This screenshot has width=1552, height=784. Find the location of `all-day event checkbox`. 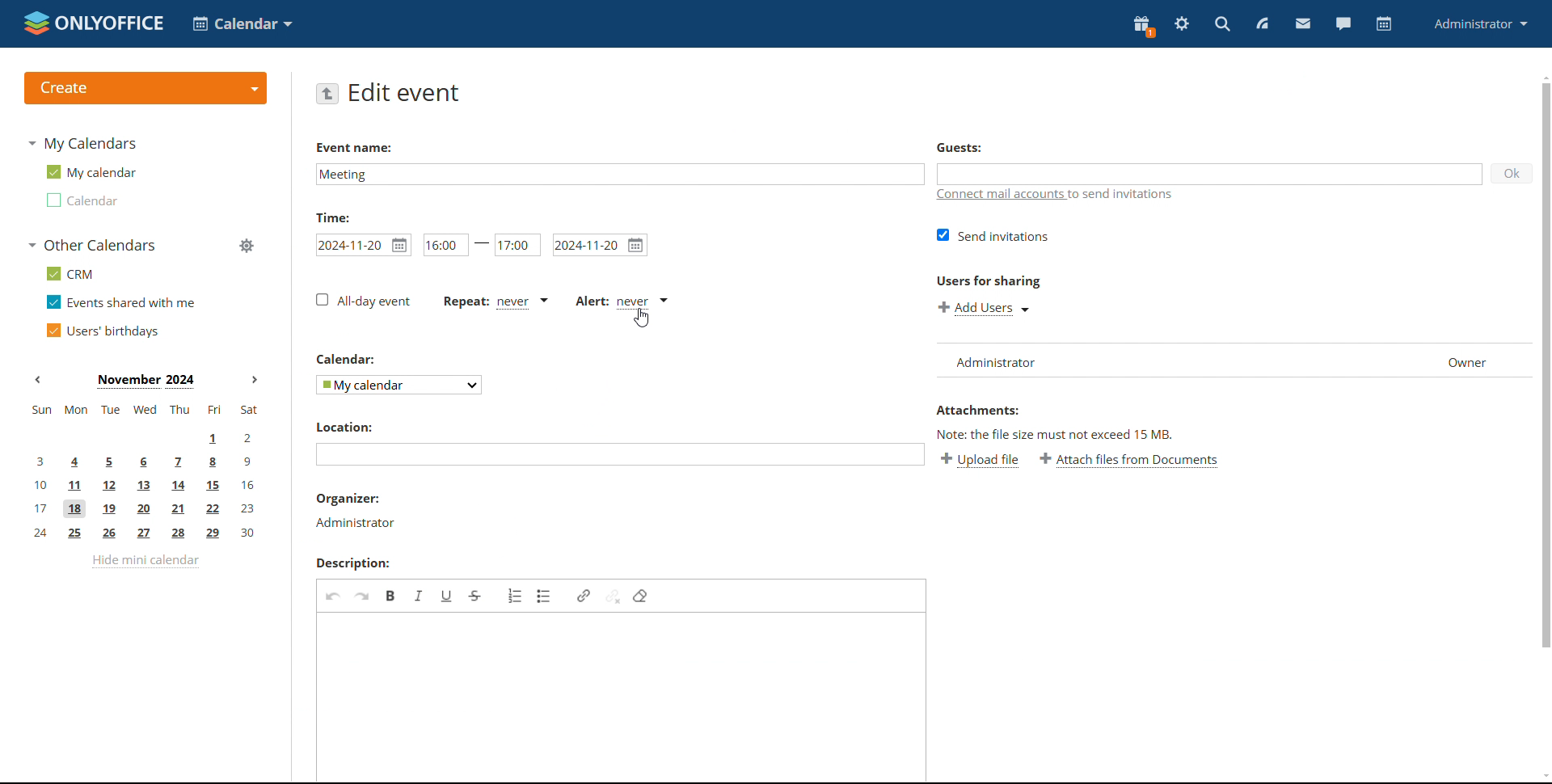

all-day event checkbox is located at coordinates (364, 301).